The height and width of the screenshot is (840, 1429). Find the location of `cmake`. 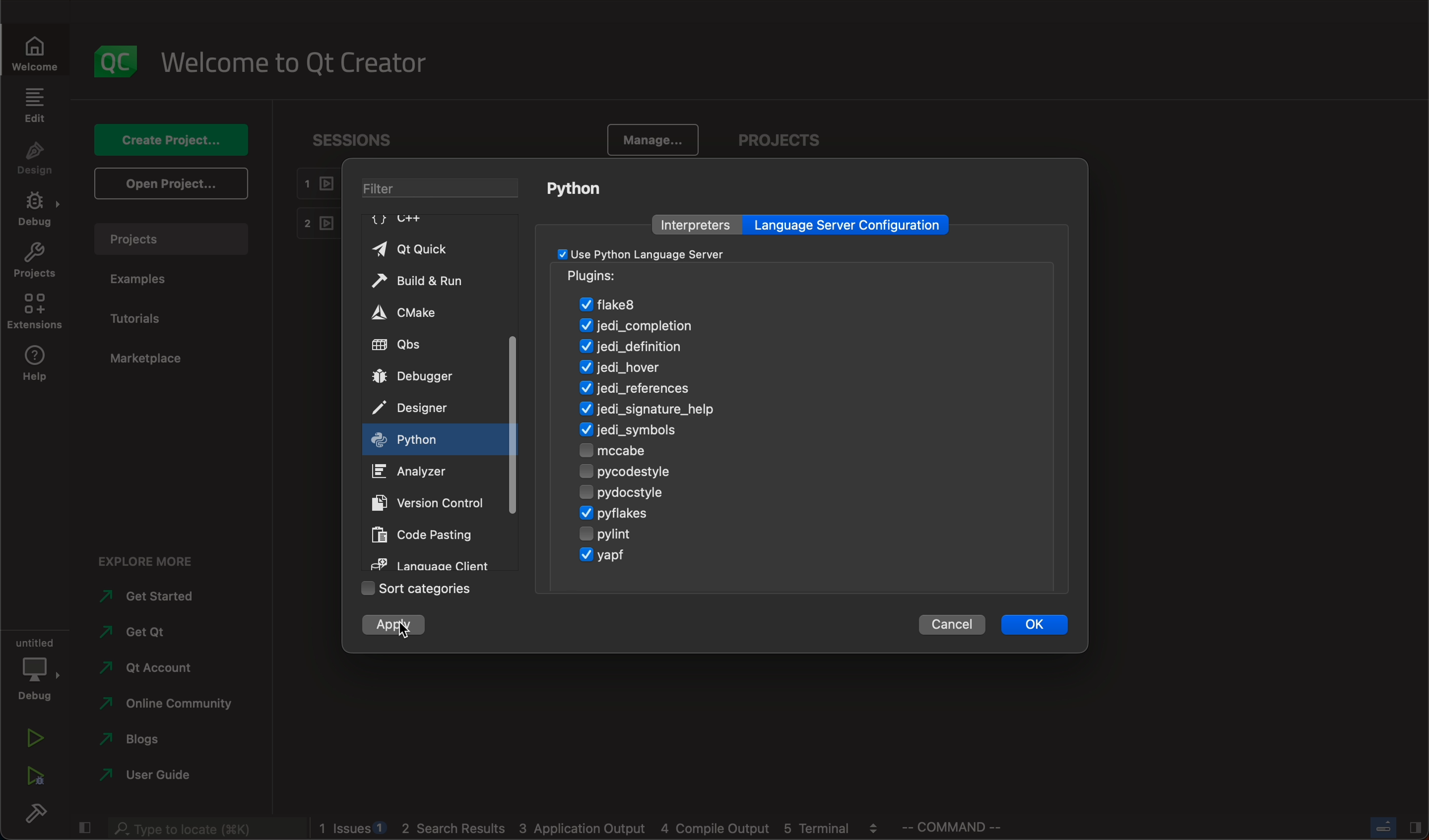

cmake is located at coordinates (408, 311).